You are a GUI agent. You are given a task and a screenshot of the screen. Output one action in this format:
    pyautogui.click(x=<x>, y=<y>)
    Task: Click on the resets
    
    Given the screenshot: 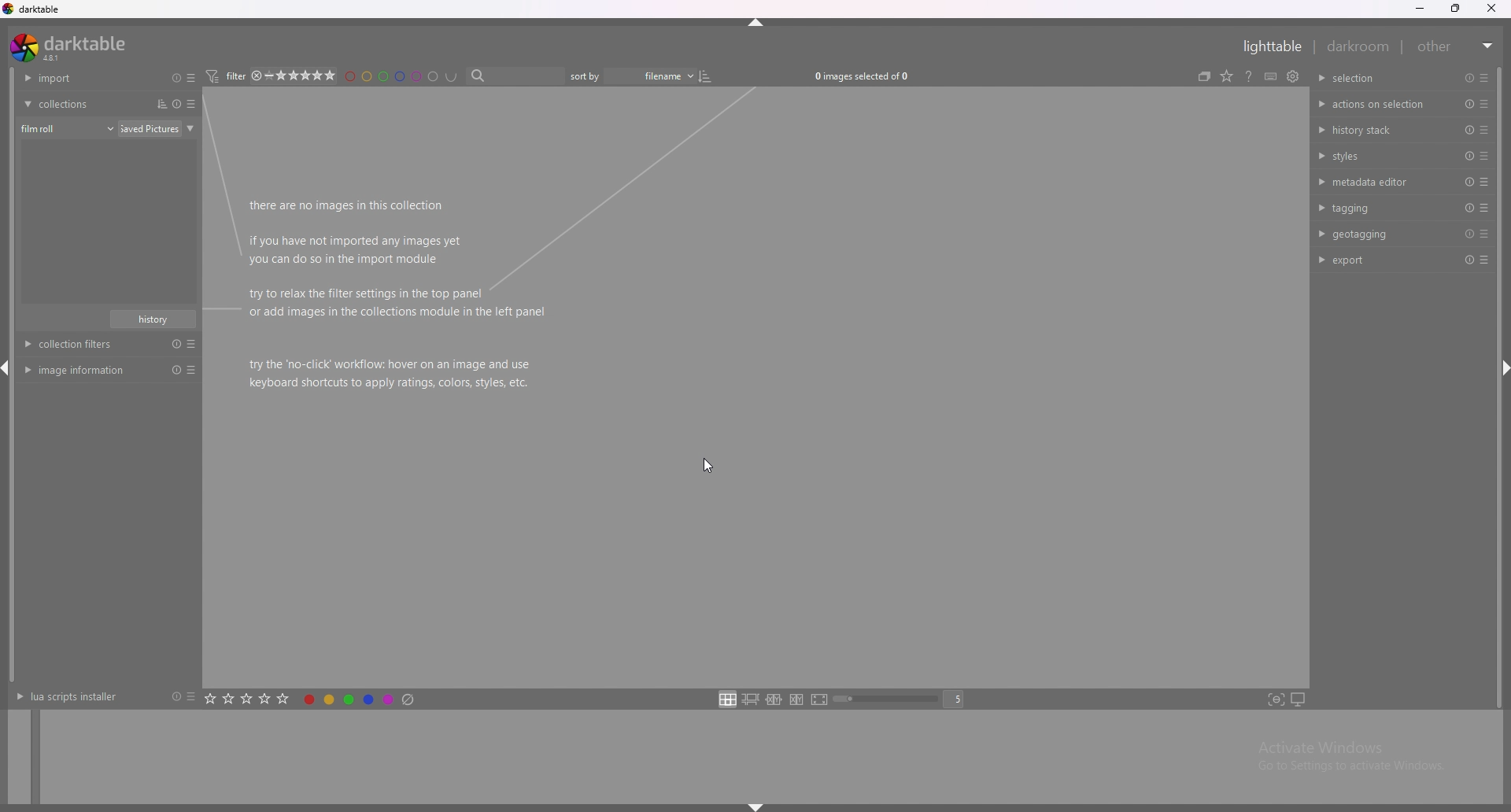 What is the action you would take?
    pyautogui.click(x=173, y=77)
    